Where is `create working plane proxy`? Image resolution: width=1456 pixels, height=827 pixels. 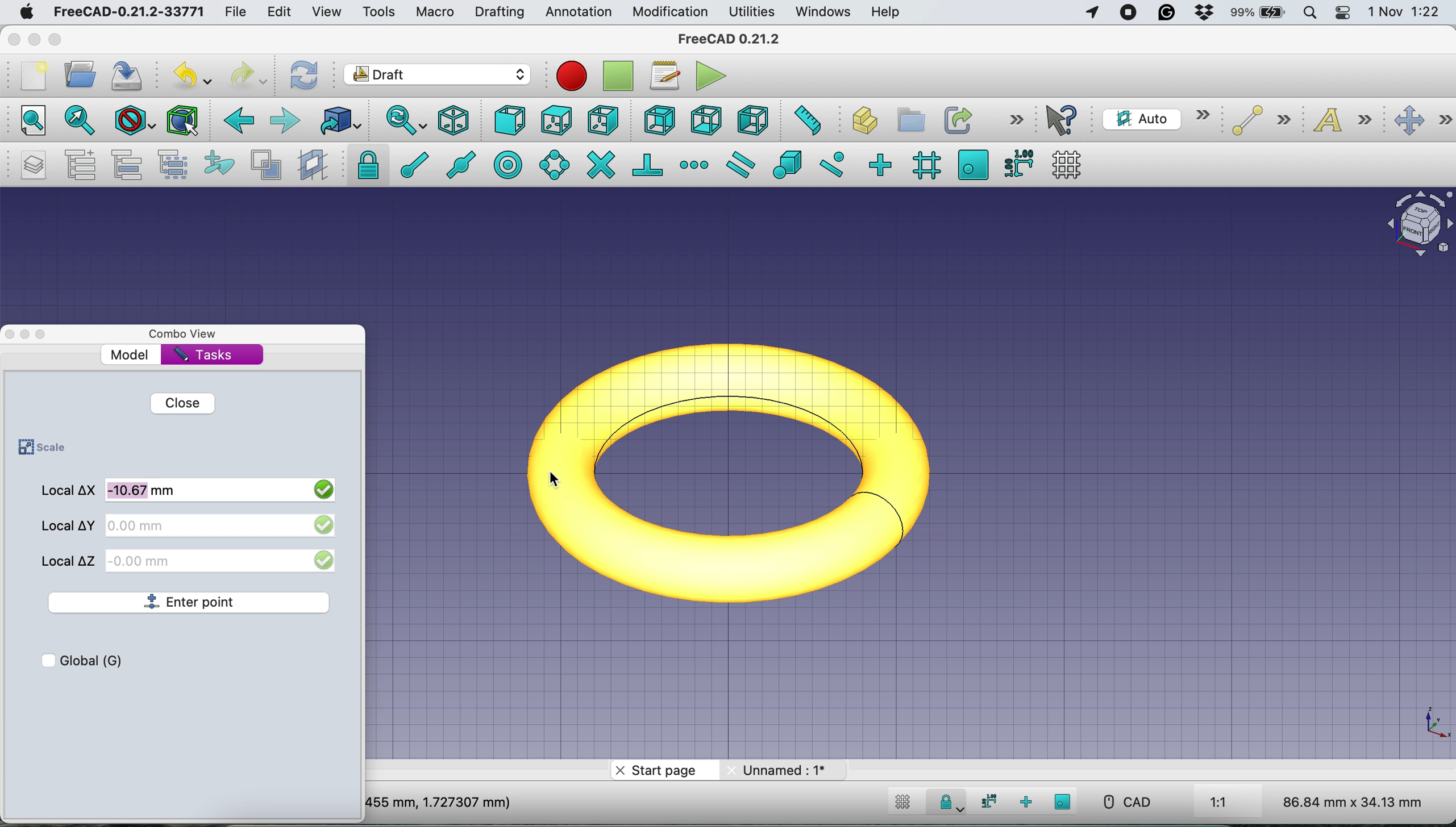
create working plane proxy is located at coordinates (311, 164).